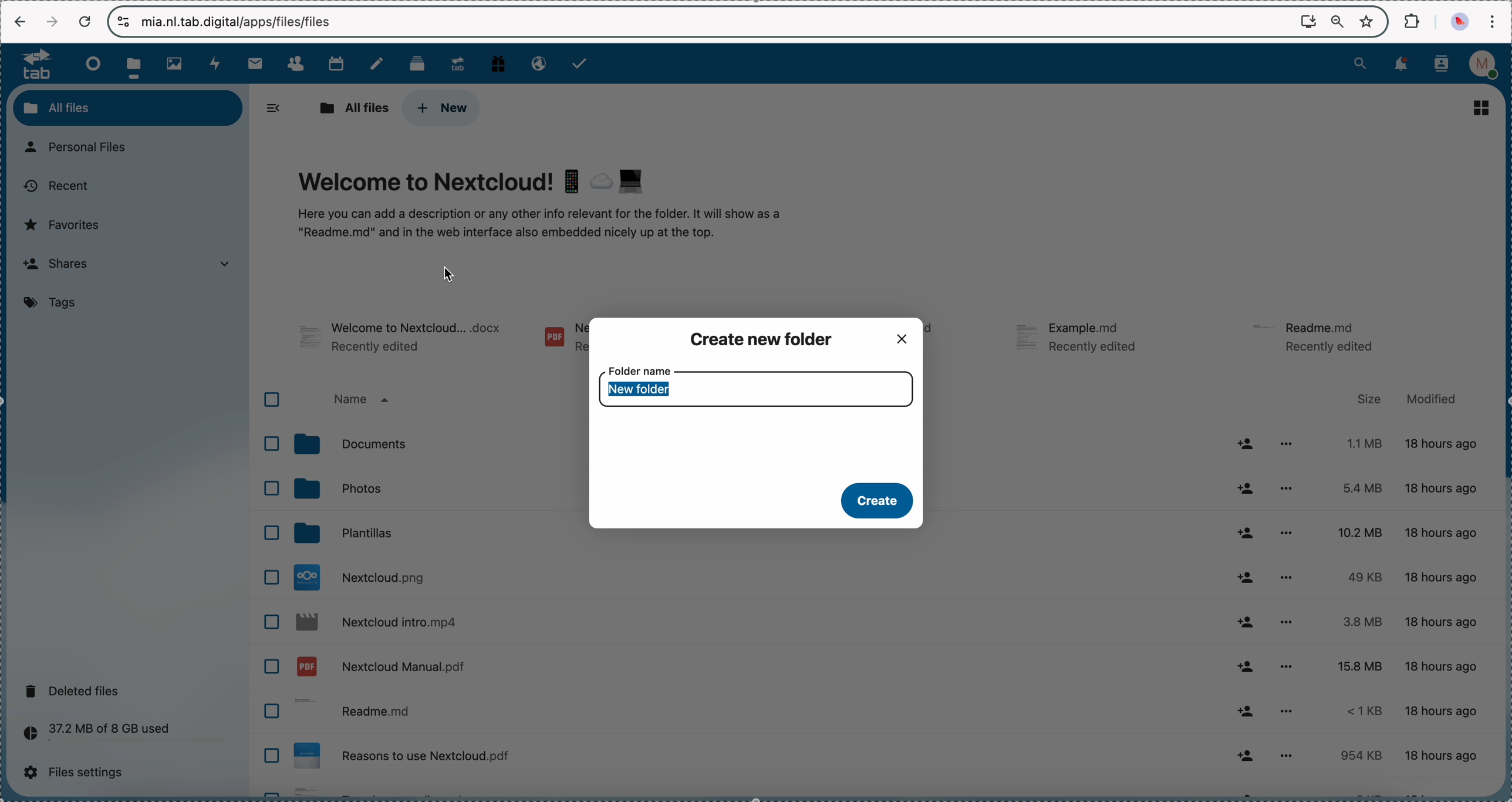 Image resolution: width=1512 pixels, height=802 pixels. Describe the element at coordinates (754, 621) in the screenshot. I see `file` at that location.